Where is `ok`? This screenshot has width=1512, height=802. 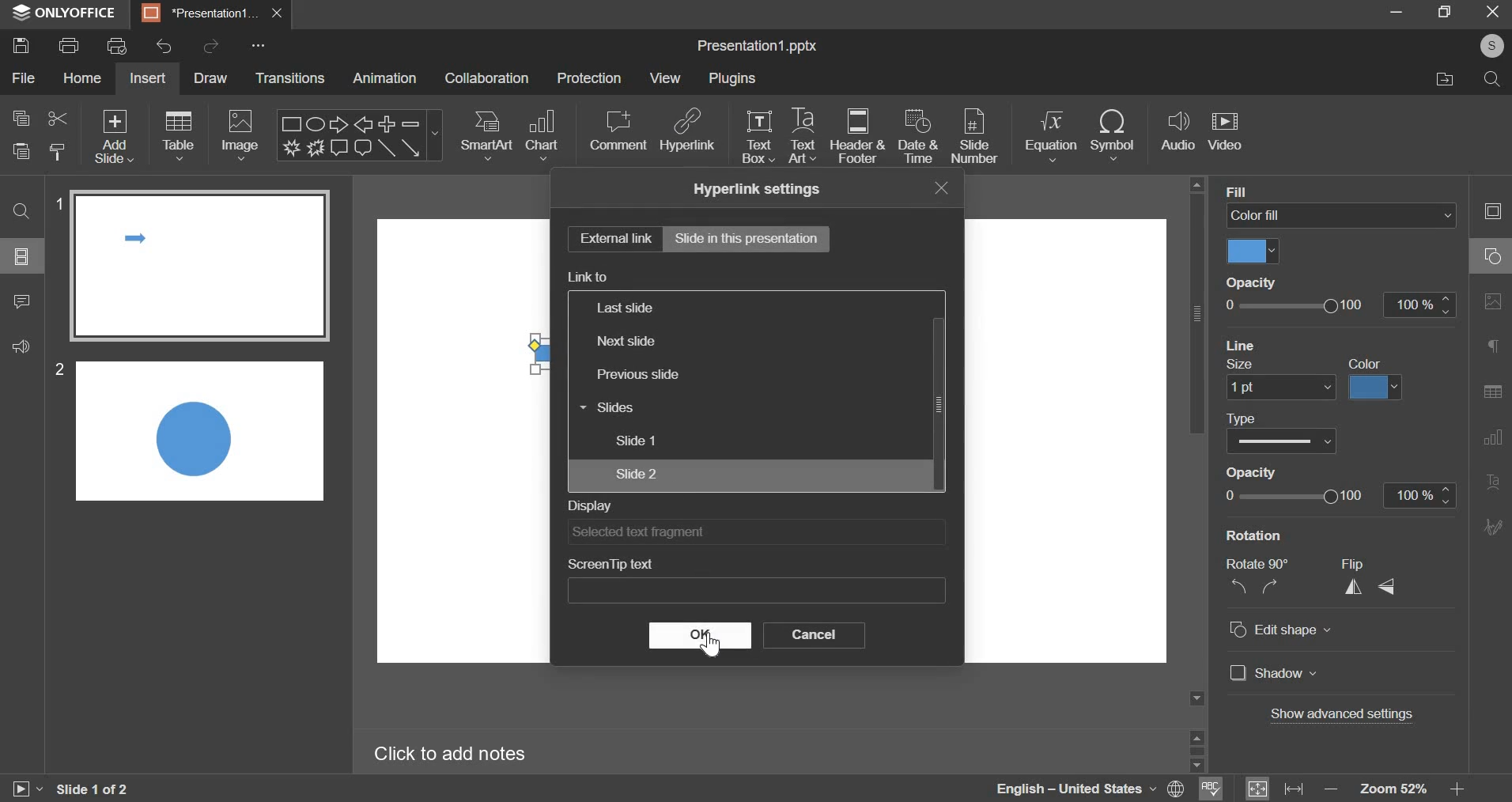
ok is located at coordinates (698, 634).